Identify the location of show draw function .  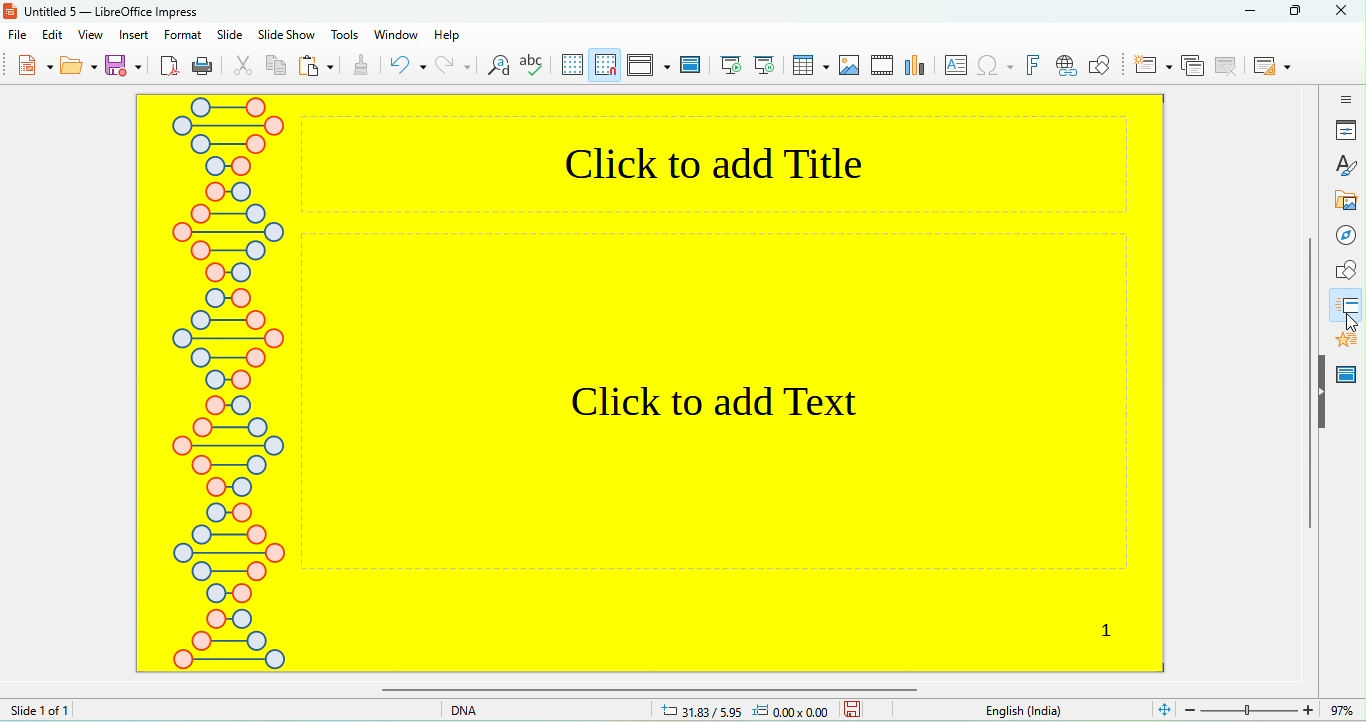
(1099, 68).